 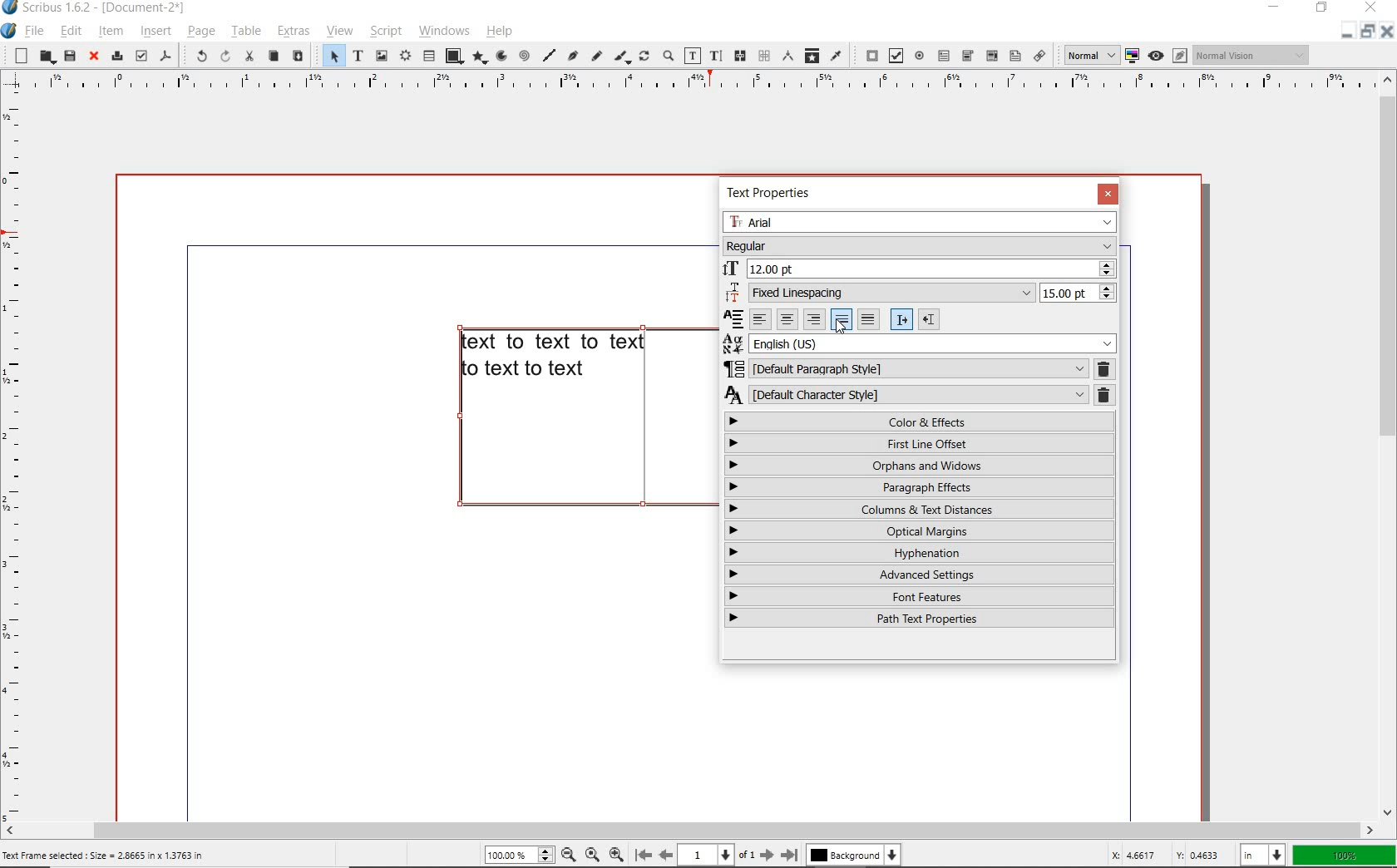 What do you see at coordinates (869, 319) in the screenshot?
I see `justified center` at bounding box center [869, 319].